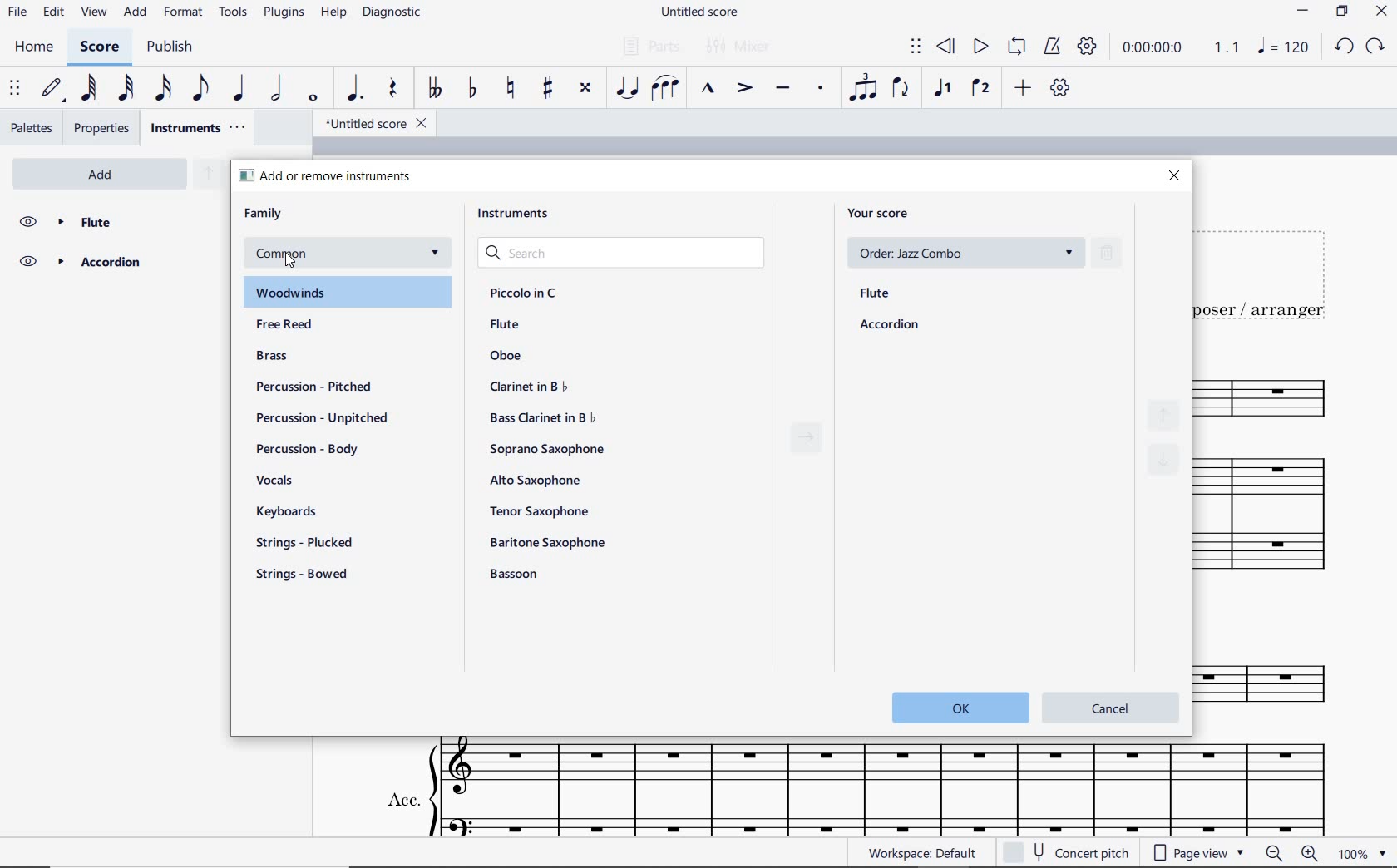 This screenshot has height=868, width=1397. I want to click on palettes, so click(32, 128).